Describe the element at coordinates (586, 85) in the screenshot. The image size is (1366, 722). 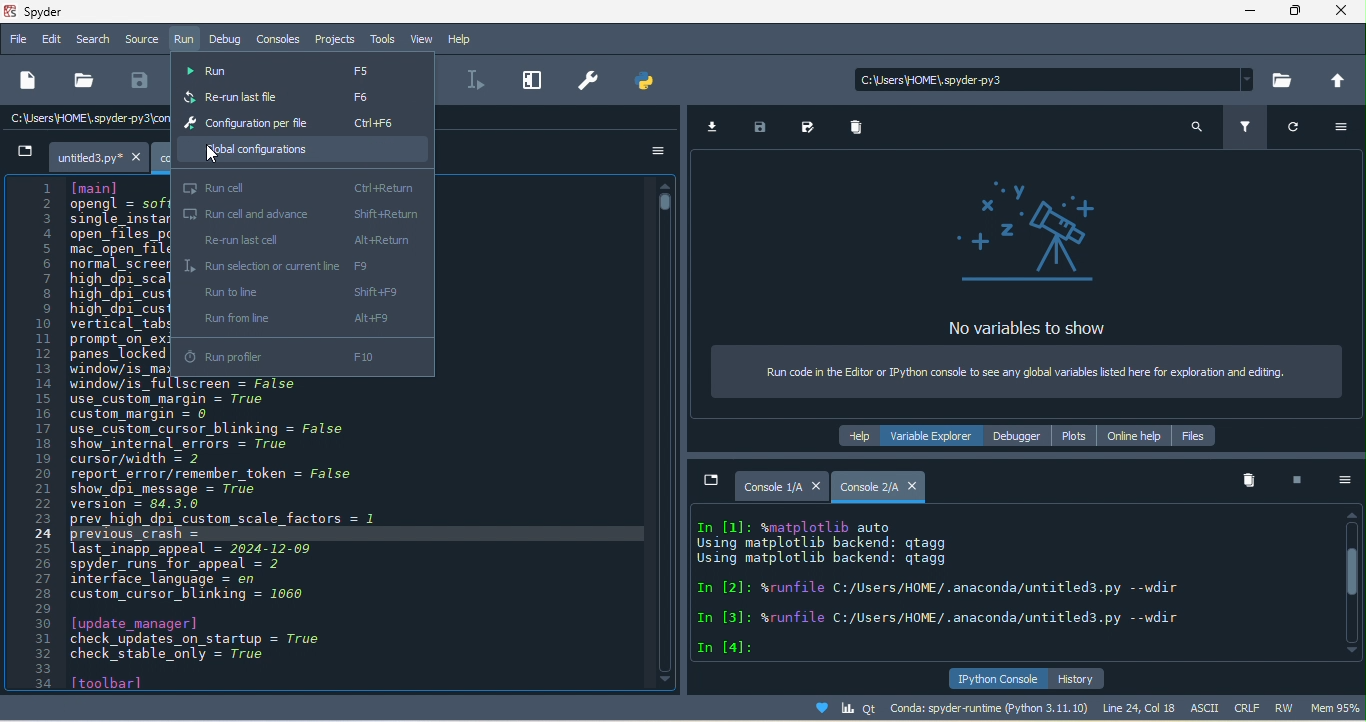
I see `preferences` at that location.